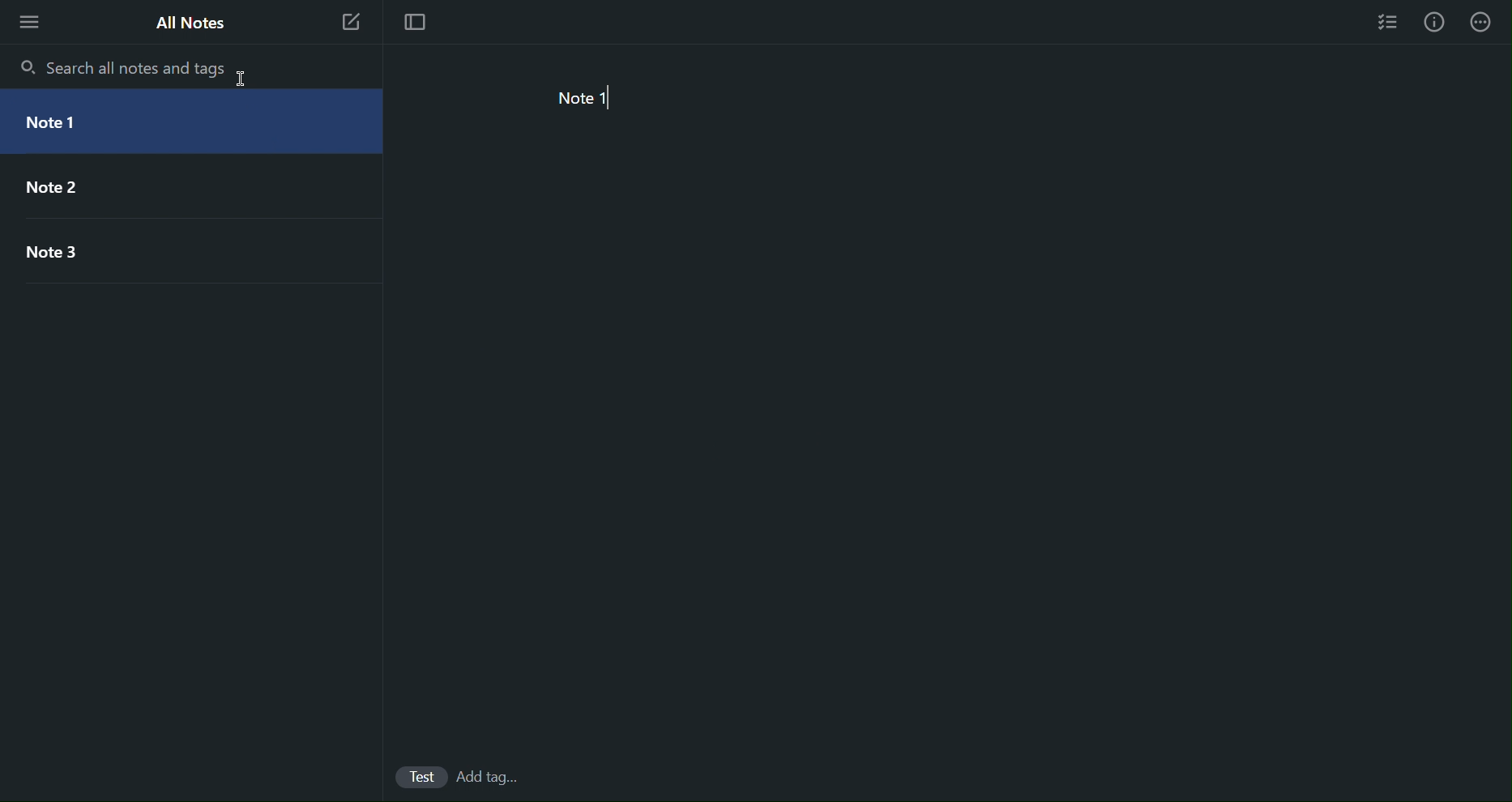 This screenshot has height=802, width=1512. What do you see at coordinates (246, 79) in the screenshot?
I see `cursor` at bounding box center [246, 79].